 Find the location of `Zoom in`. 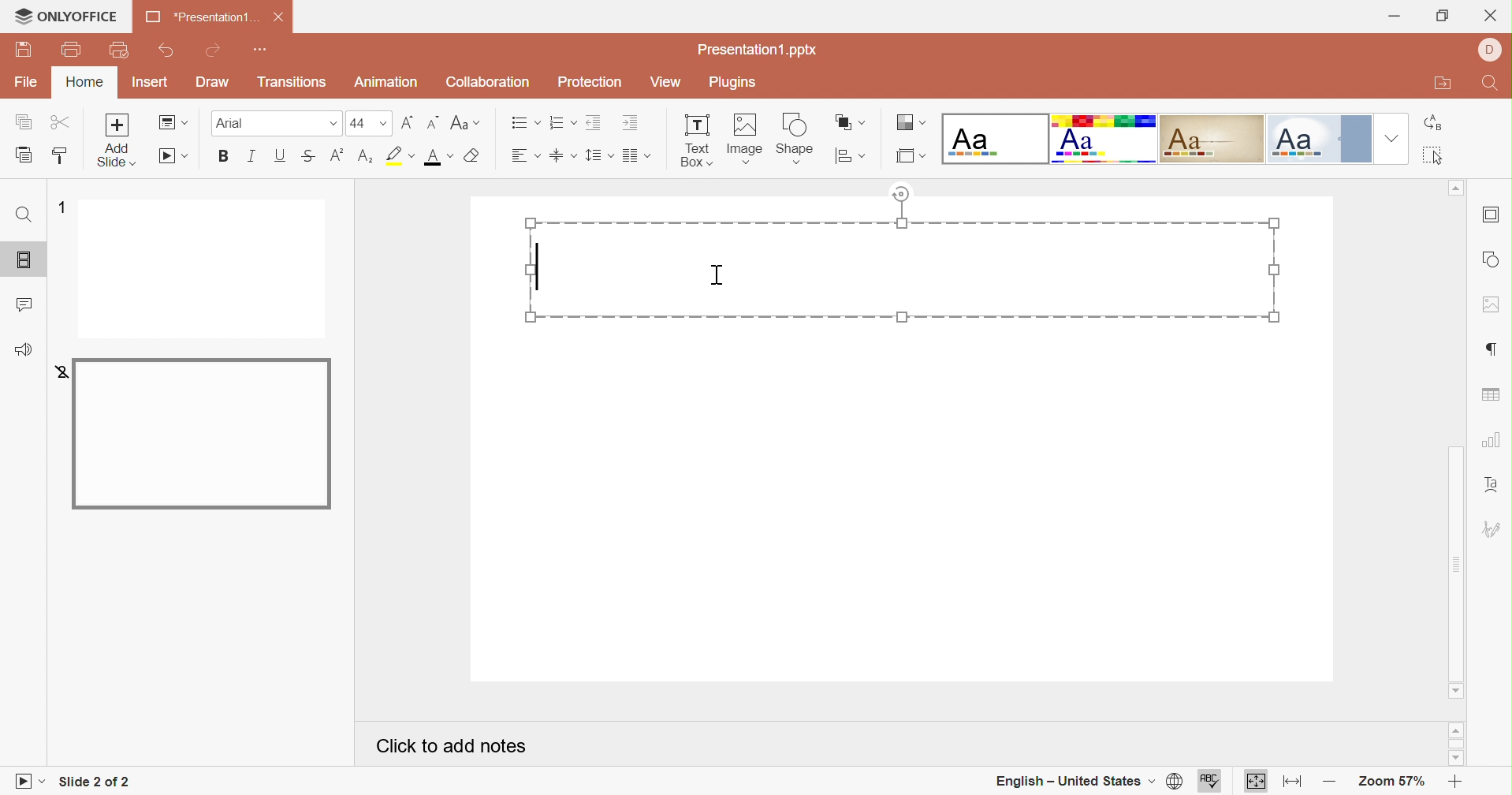

Zoom in is located at coordinates (1453, 782).